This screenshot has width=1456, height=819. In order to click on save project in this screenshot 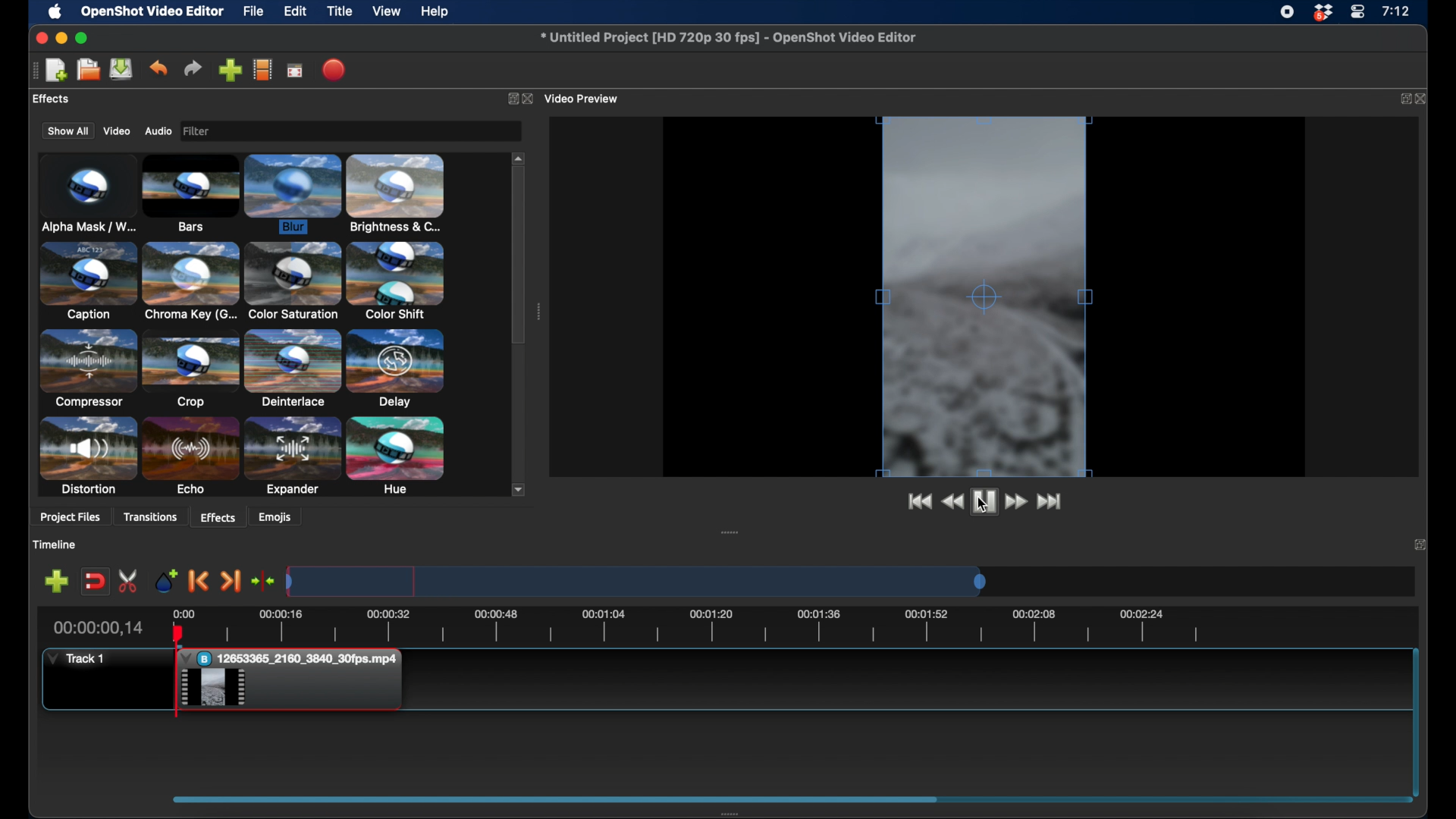, I will do `click(121, 69)`.